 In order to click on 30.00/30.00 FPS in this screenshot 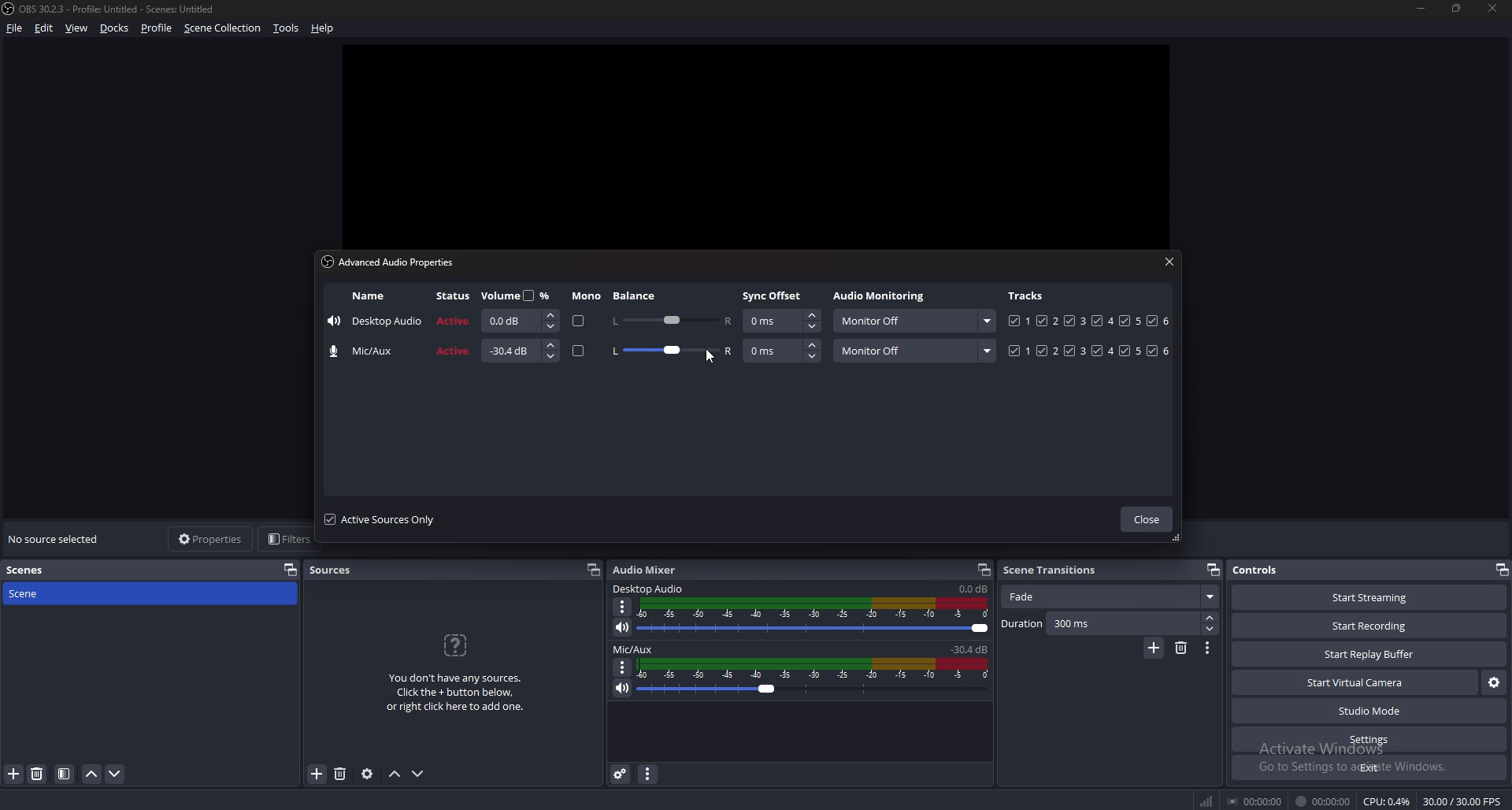, I will do `click(1462, 801)`.